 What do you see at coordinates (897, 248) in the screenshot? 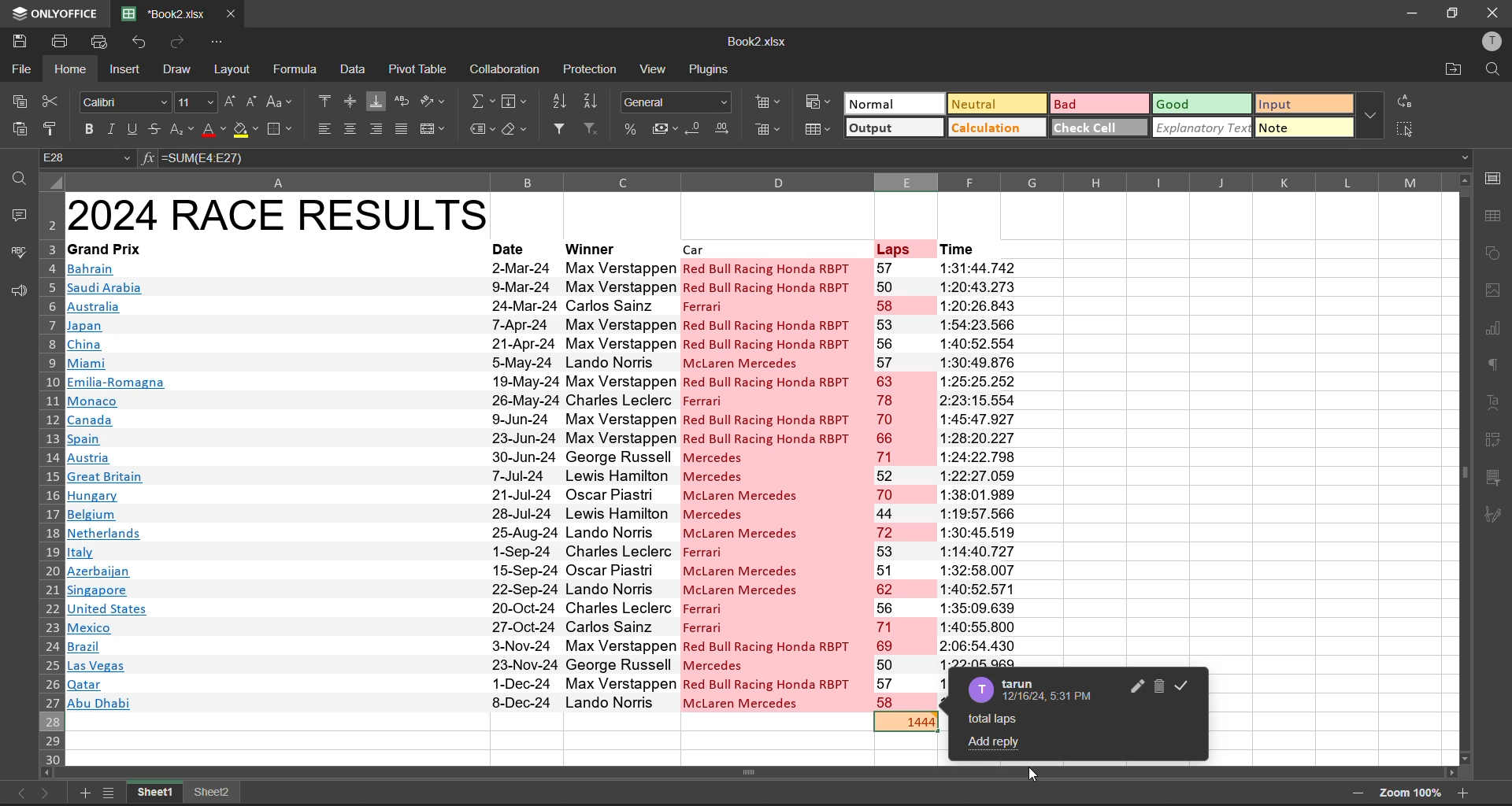
I see `laps` at bounding box center [897, 248].